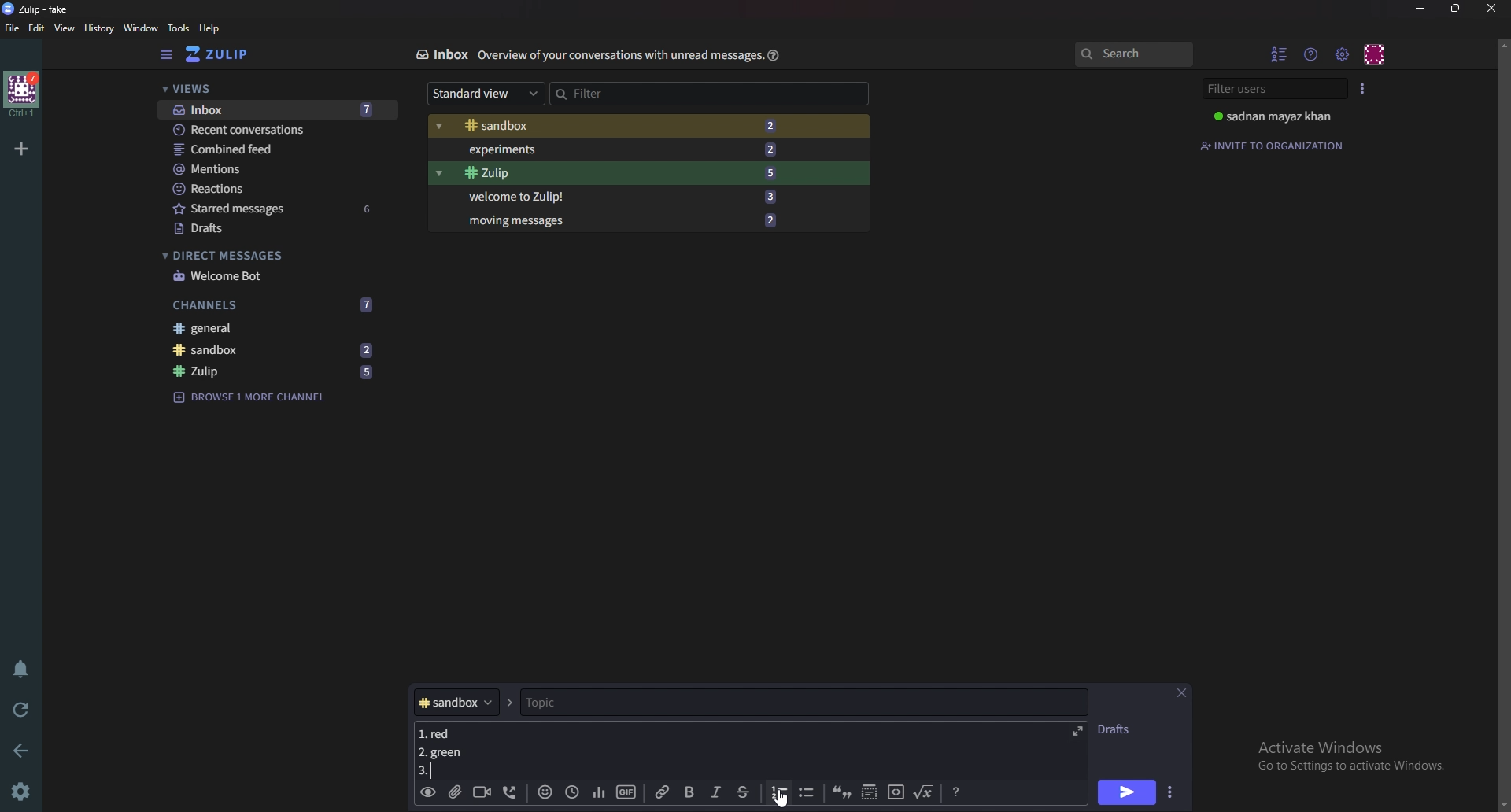  What do you see at coordinates (1456, 9) in the screenshot?
I see `Resize` at bounding box center [1456, 9].